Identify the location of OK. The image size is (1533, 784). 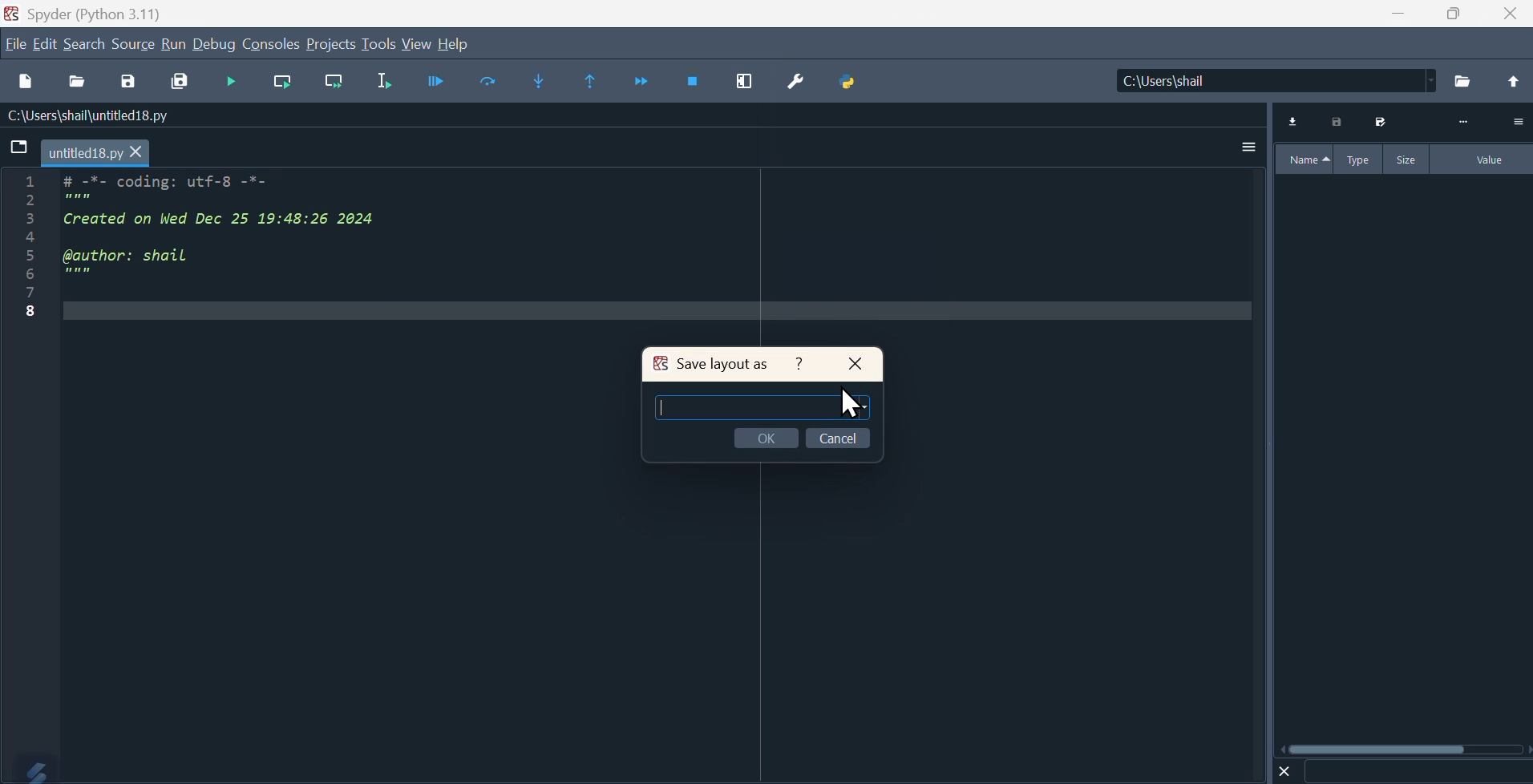
(766, 438).